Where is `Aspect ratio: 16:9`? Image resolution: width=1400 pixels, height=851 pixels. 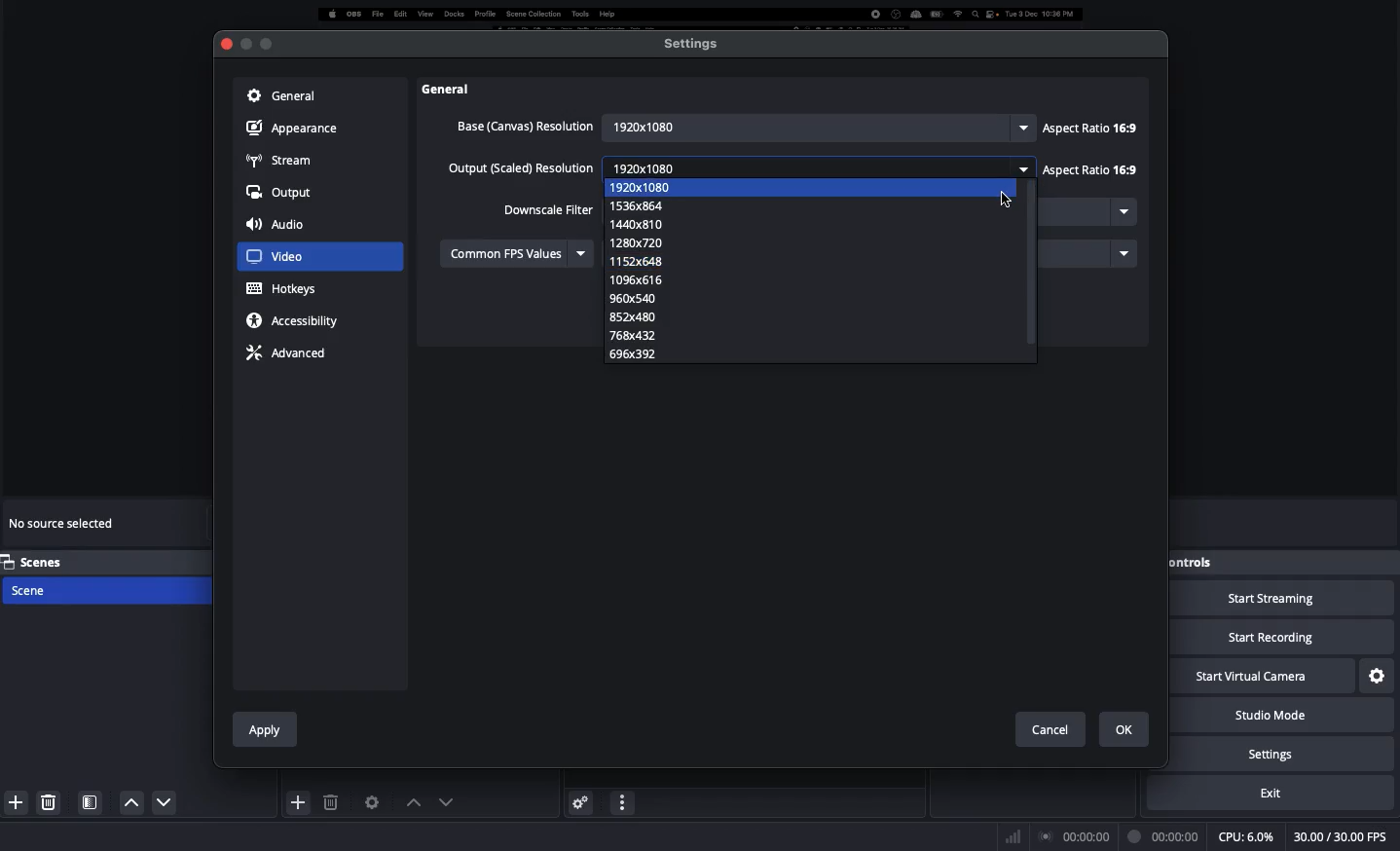
Aspect ratio: 16:9 is located at coordinates (1087, 171).